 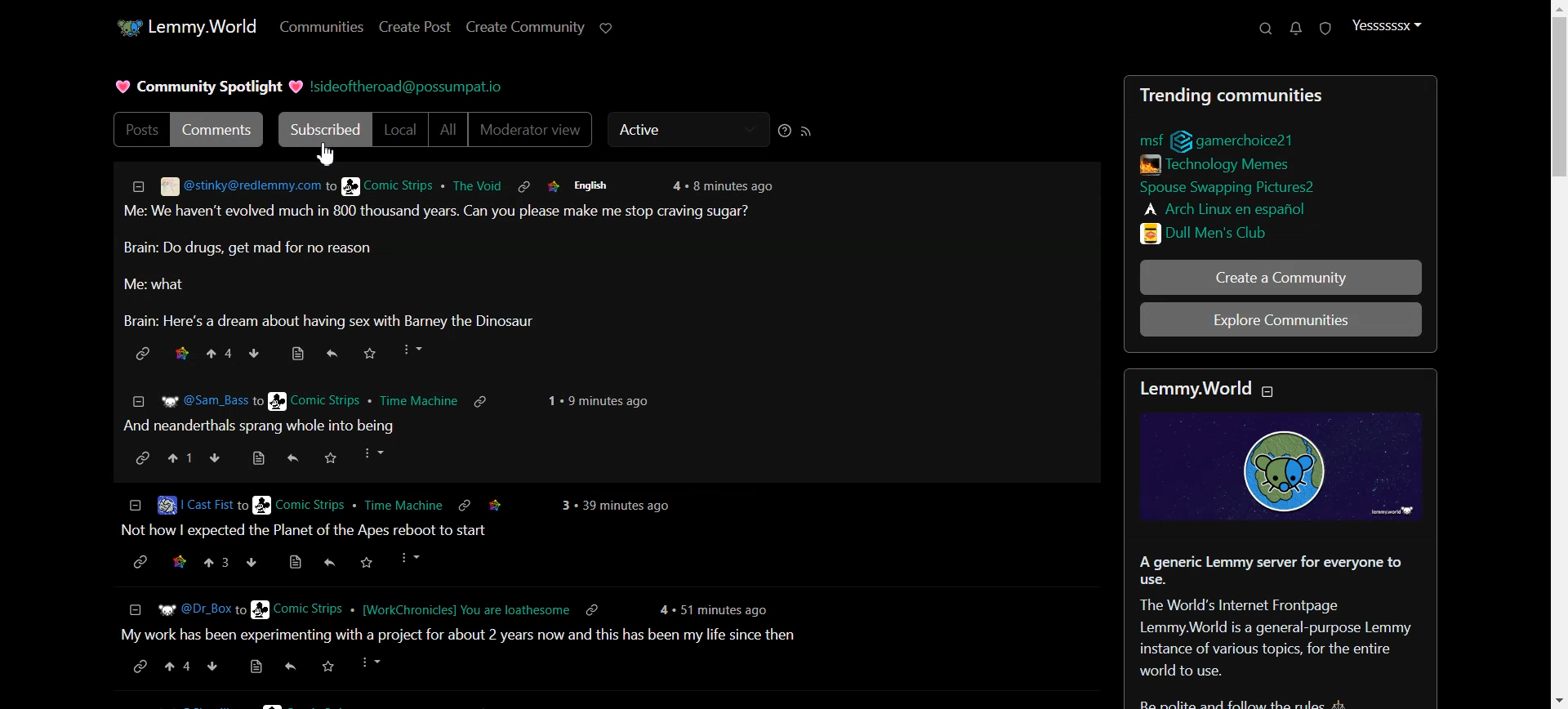 I want to click on save, so click(x=330, y=458).